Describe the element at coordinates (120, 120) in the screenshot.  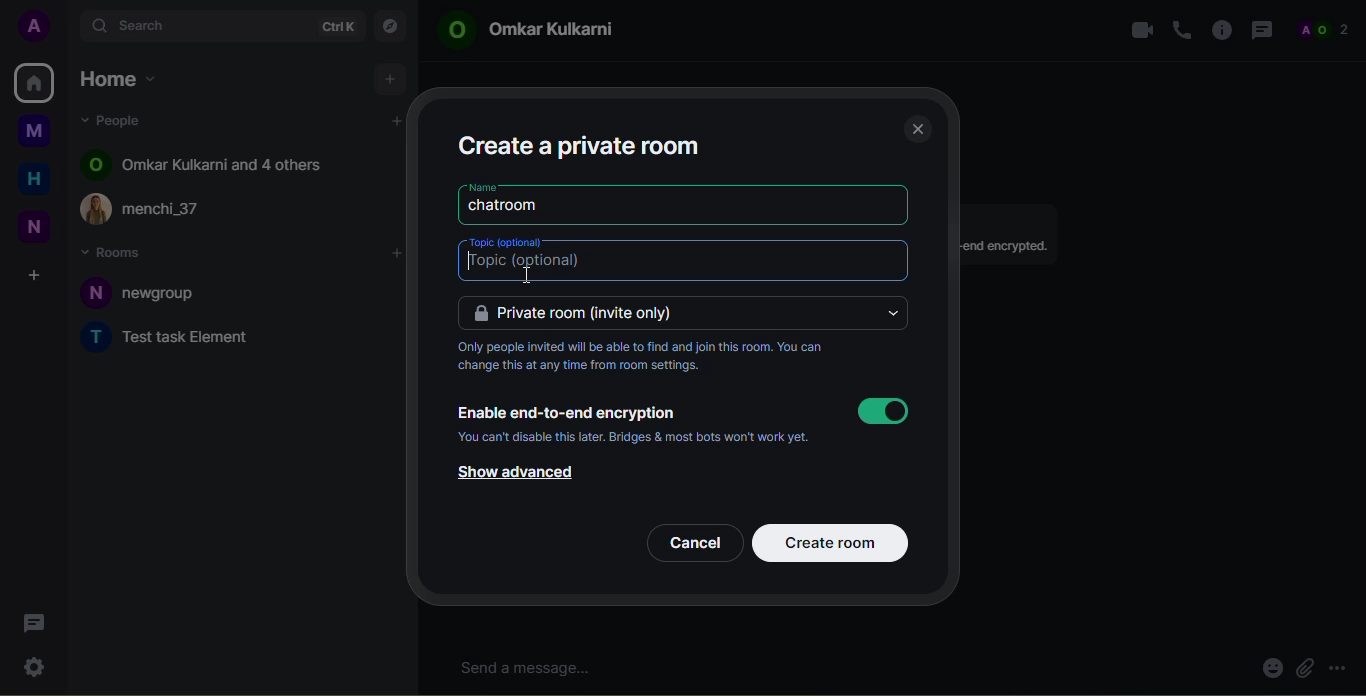
I see `people` at that location.